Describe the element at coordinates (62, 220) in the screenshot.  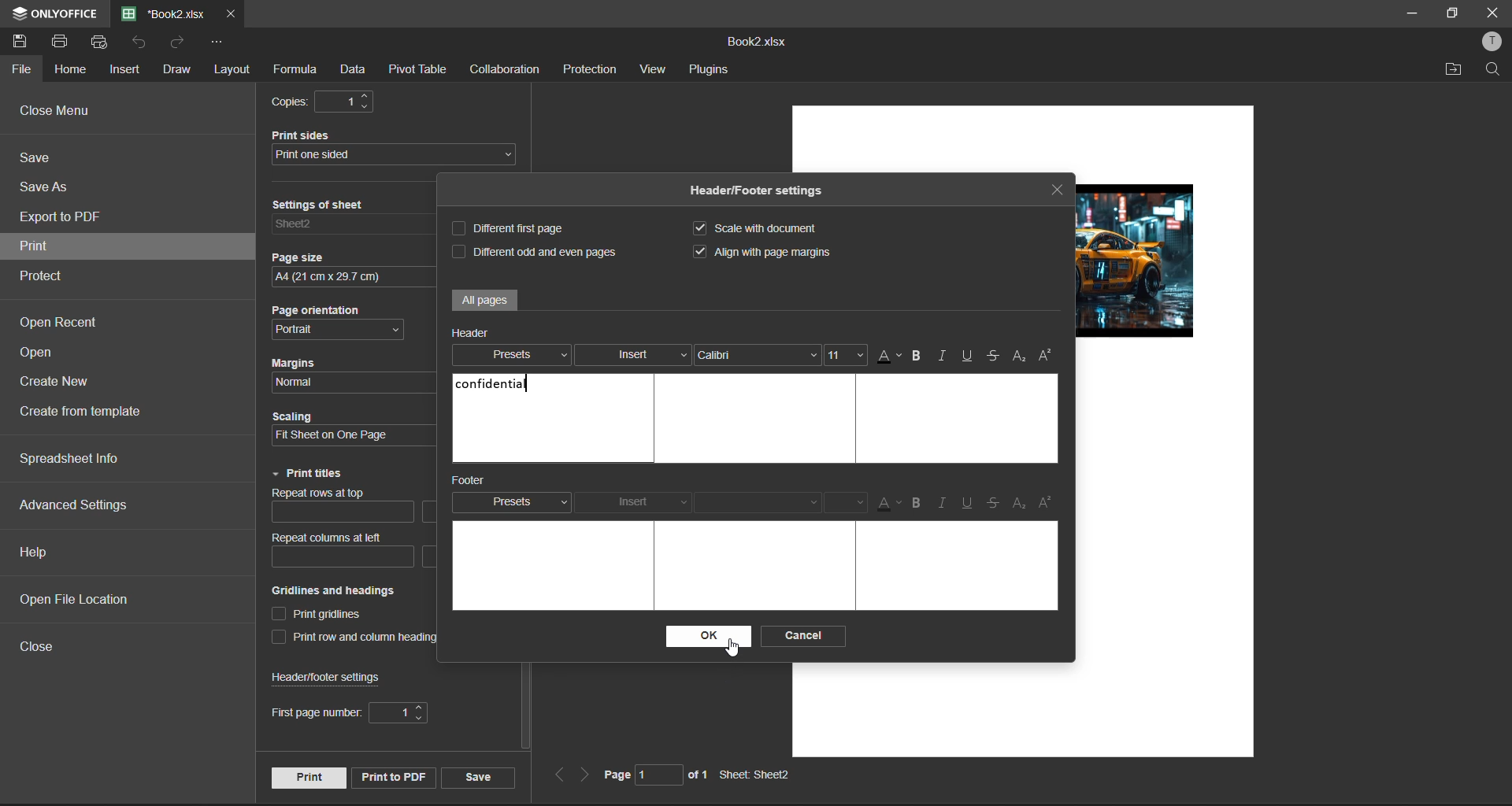
I see `export to pdf` at that location.